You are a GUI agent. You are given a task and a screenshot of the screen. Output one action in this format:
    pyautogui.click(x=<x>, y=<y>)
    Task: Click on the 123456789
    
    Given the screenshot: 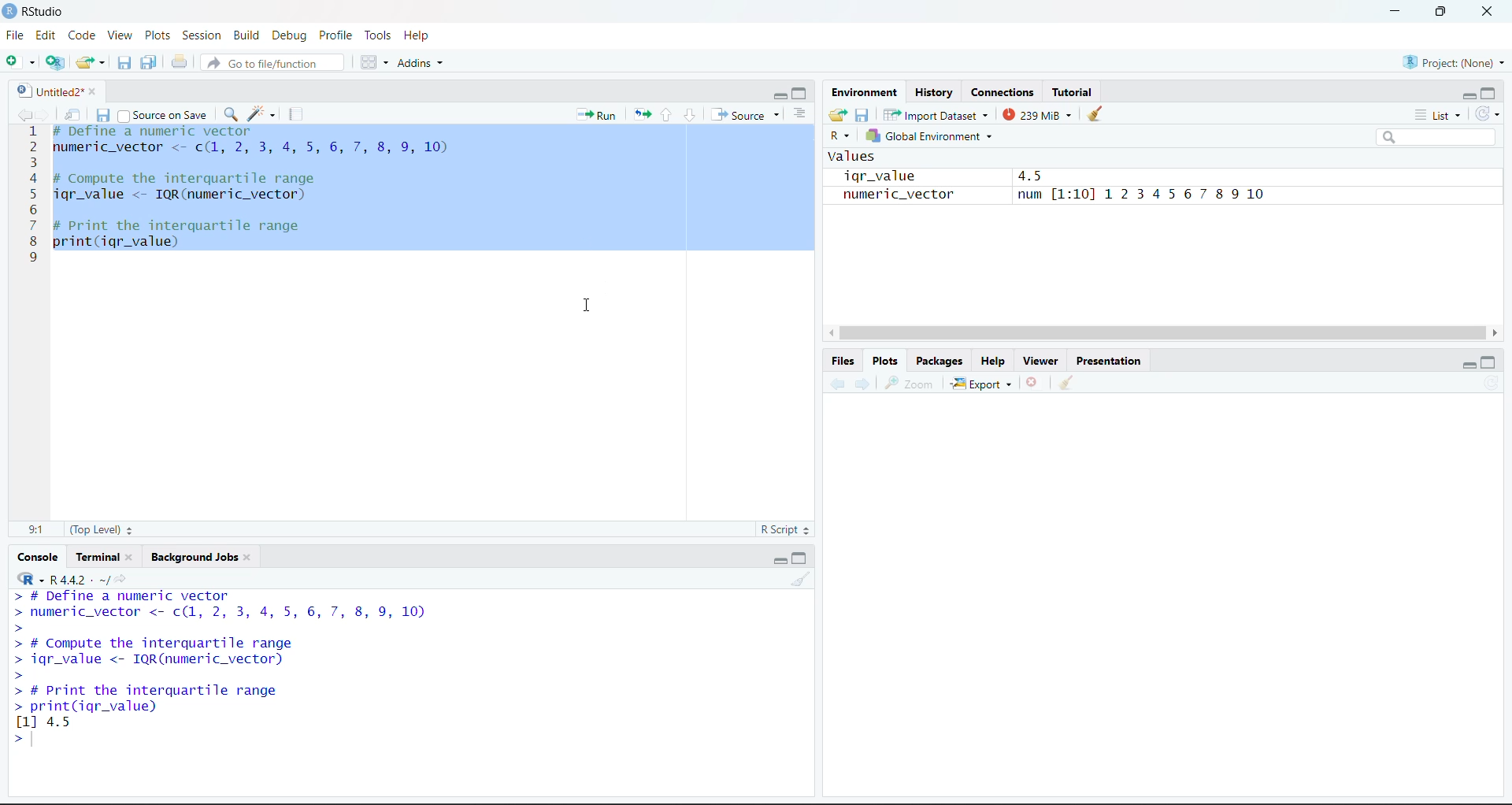 What is the action you would take?
    pyautogui.click(x=31, y=199)
    